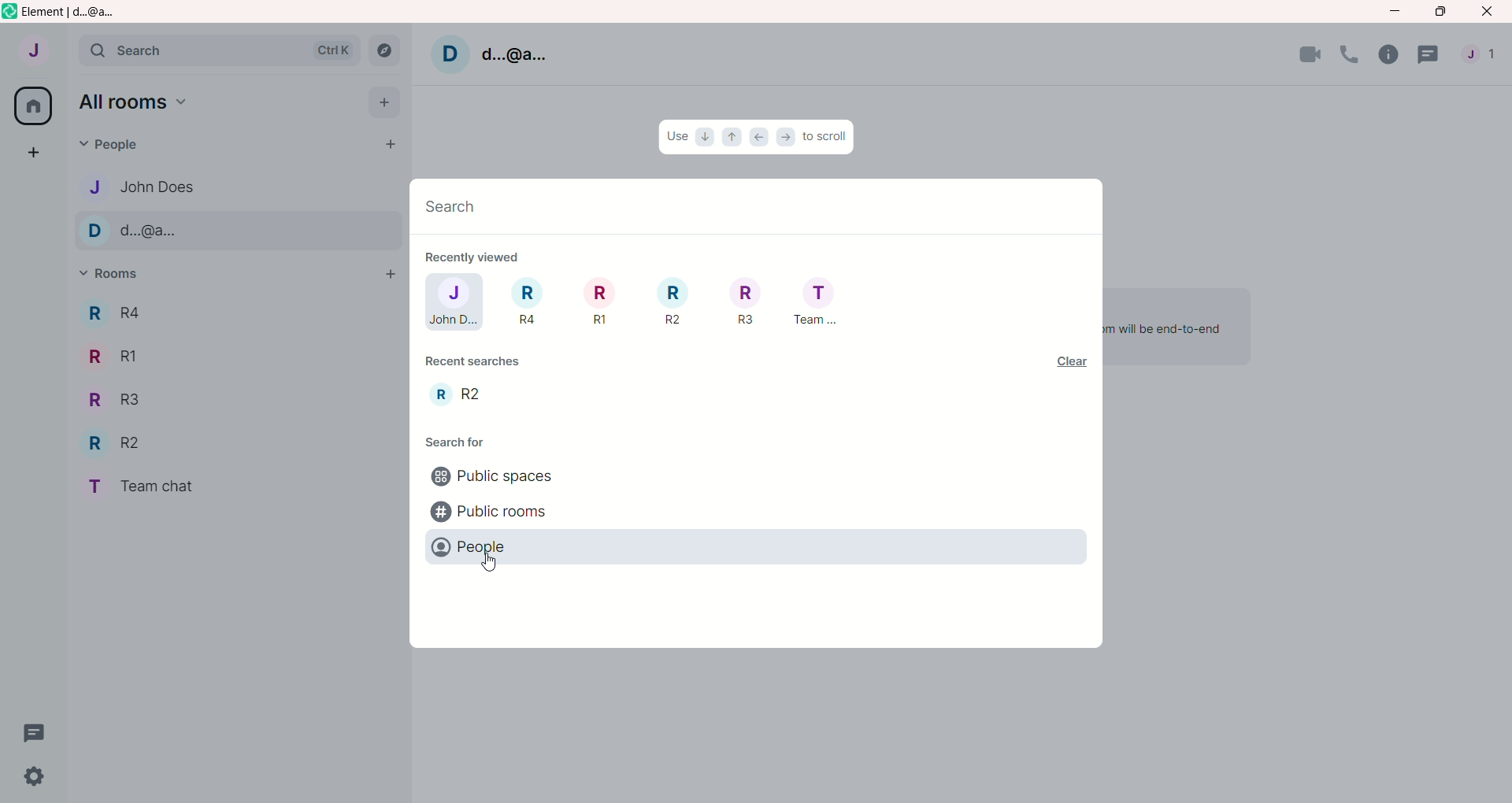  Describe the element at coordinates (1439, 12) in the screenshot. I see `maximize` at that location.